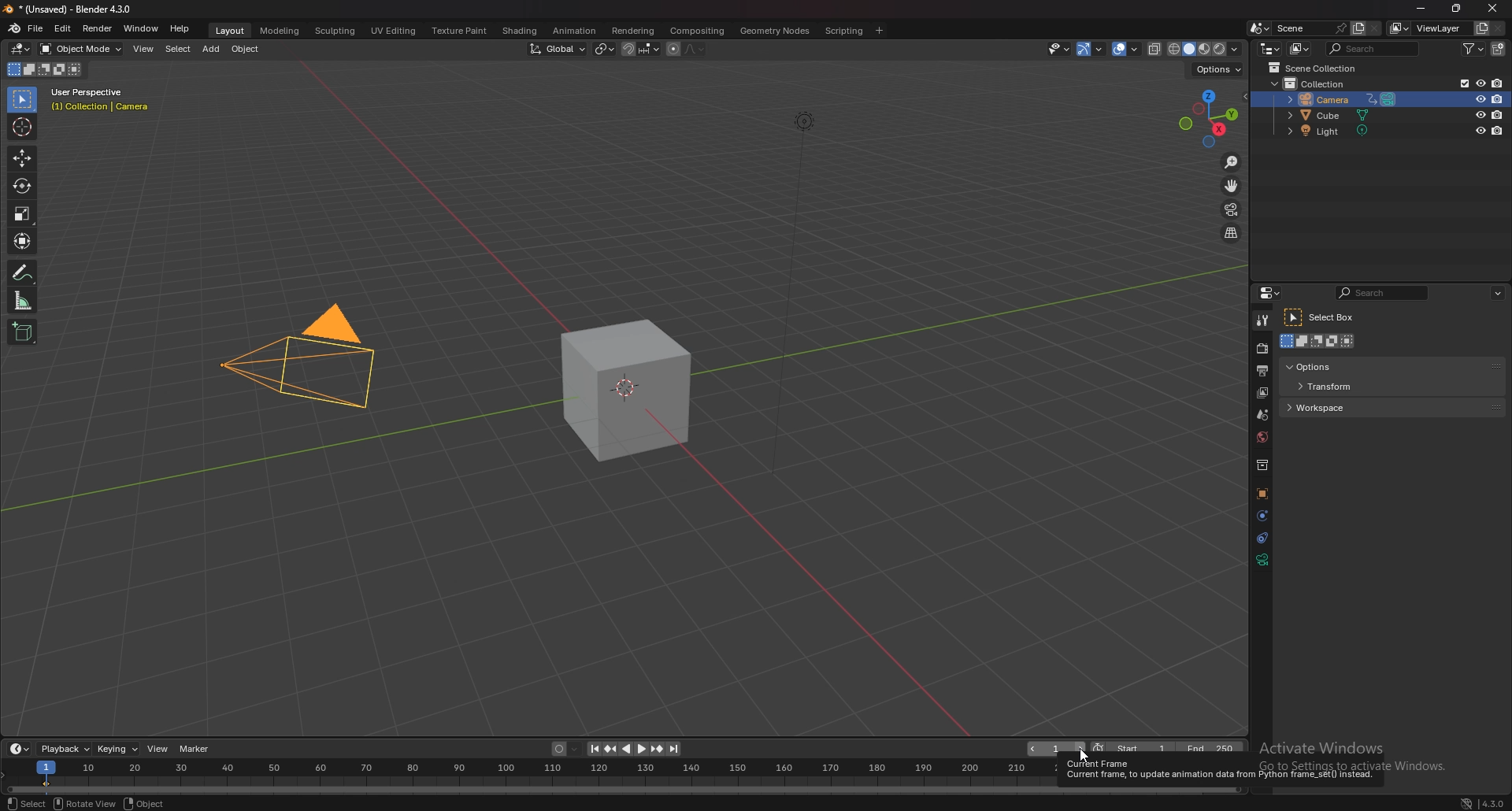 Image resolution: width=1512 pixels, height=811 pixels. I want to click on uv editing, so click(393, 31).